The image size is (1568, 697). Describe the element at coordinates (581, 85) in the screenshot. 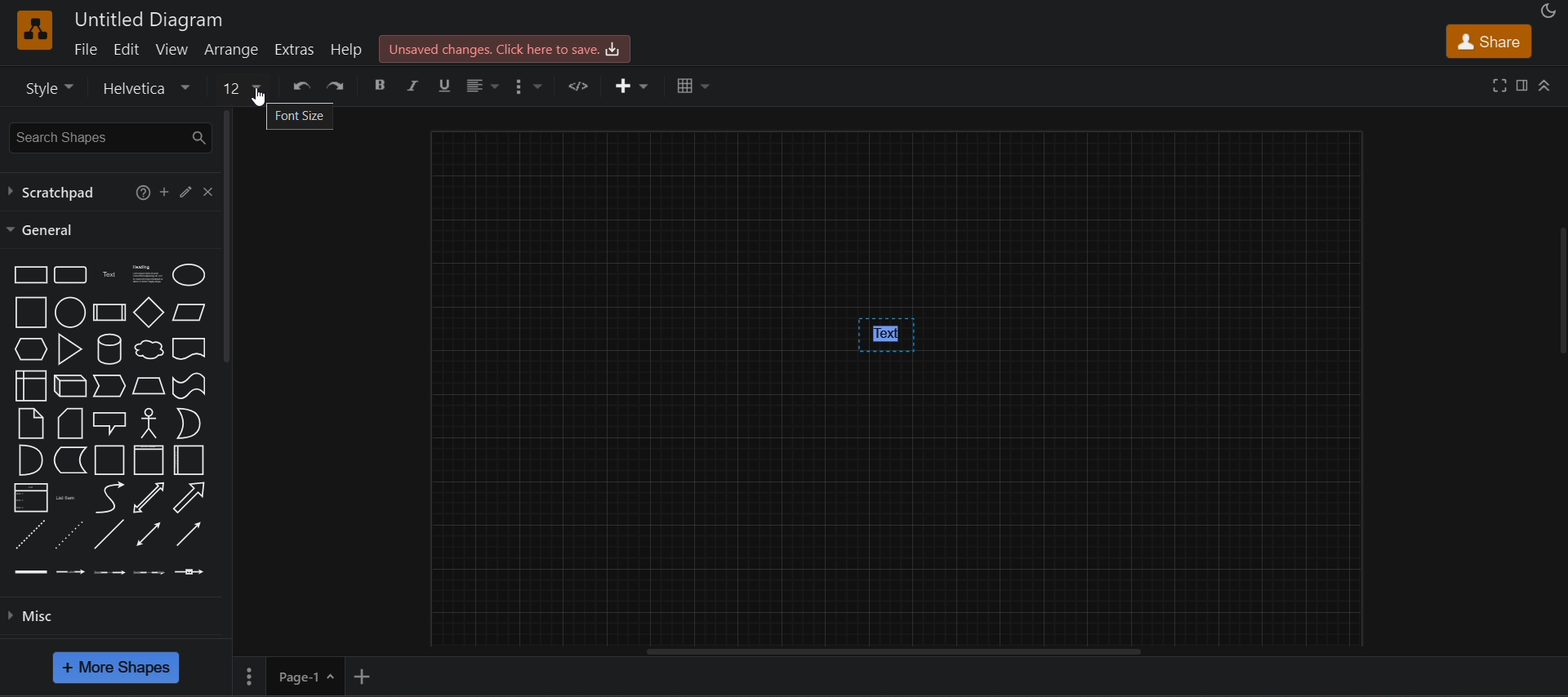

I see `html` at that location.